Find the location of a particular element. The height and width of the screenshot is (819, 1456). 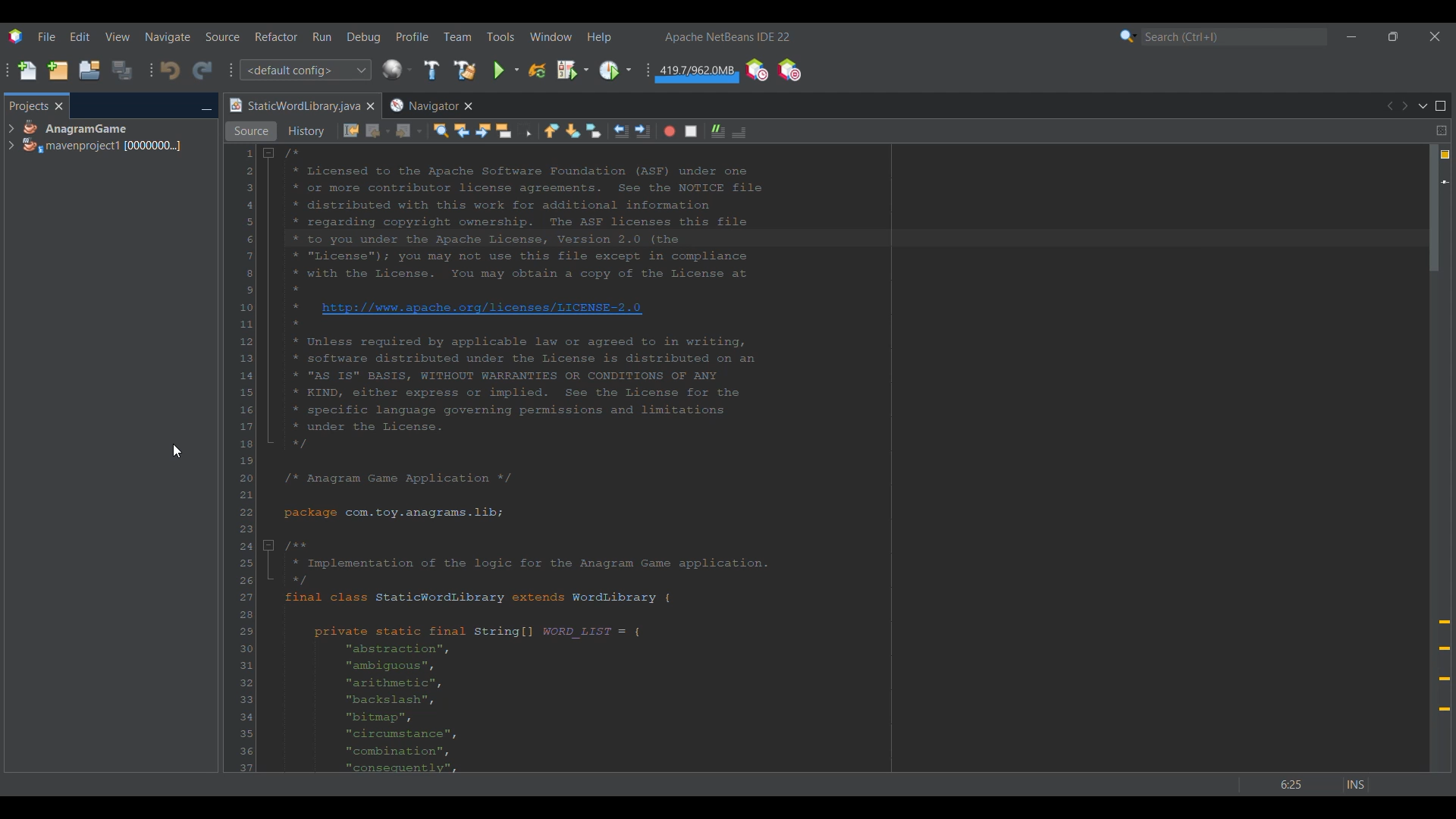

Run main project options is located at coordinates (507, 70).